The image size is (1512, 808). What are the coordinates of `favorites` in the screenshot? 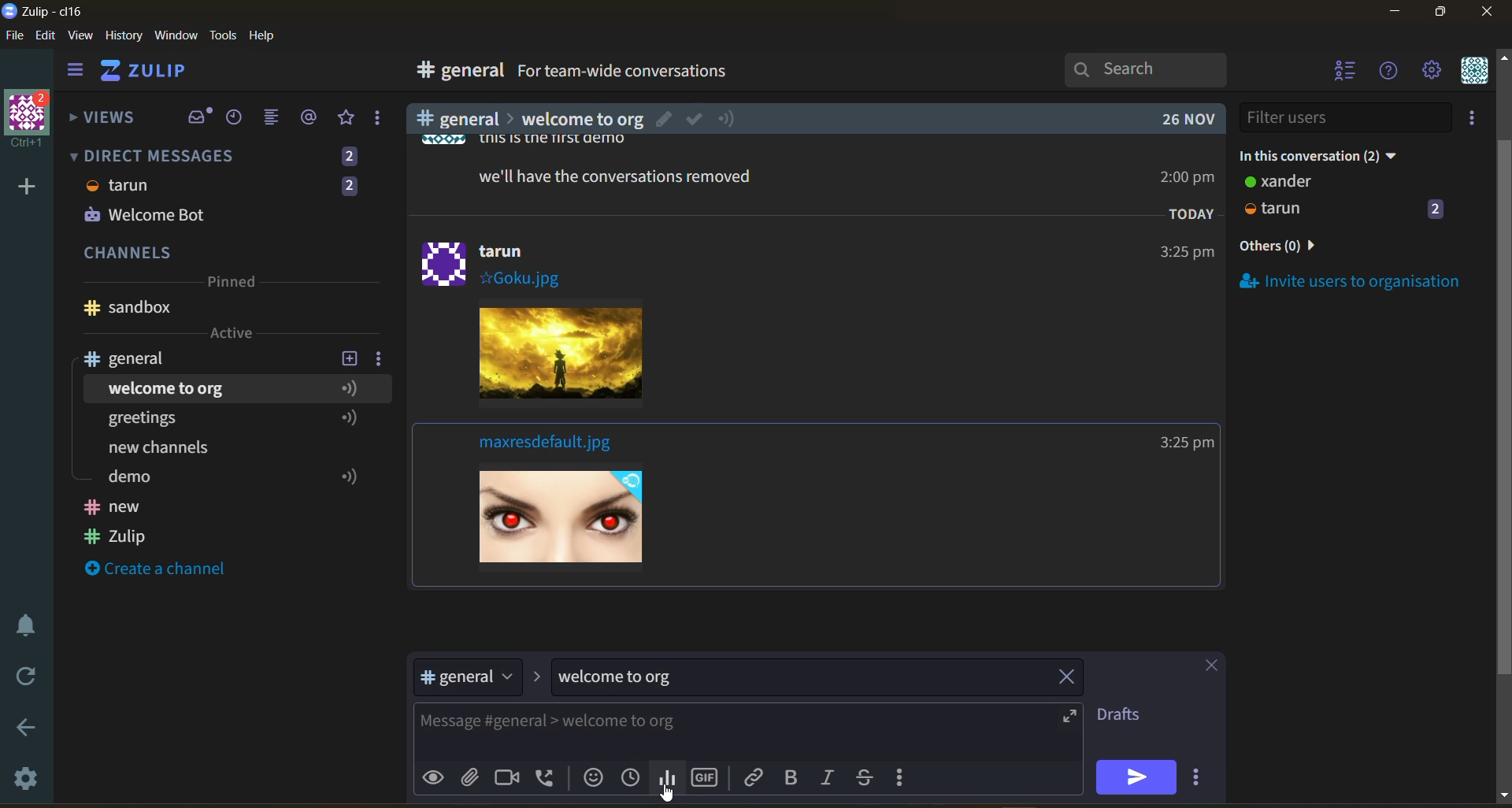 It's located at (347, 118).